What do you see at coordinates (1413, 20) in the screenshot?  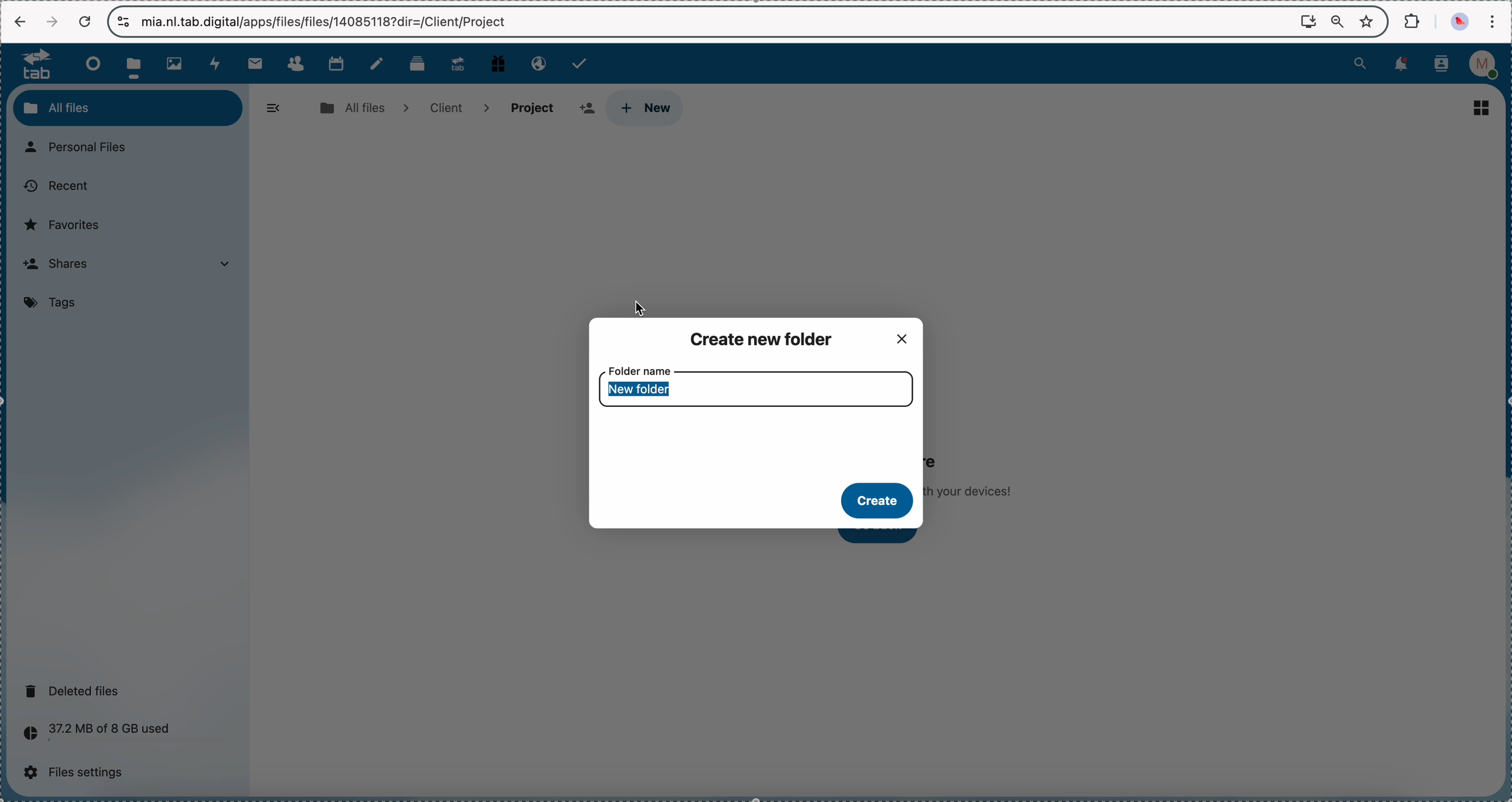 I see `extensions` at bounding box center [1413, 20].